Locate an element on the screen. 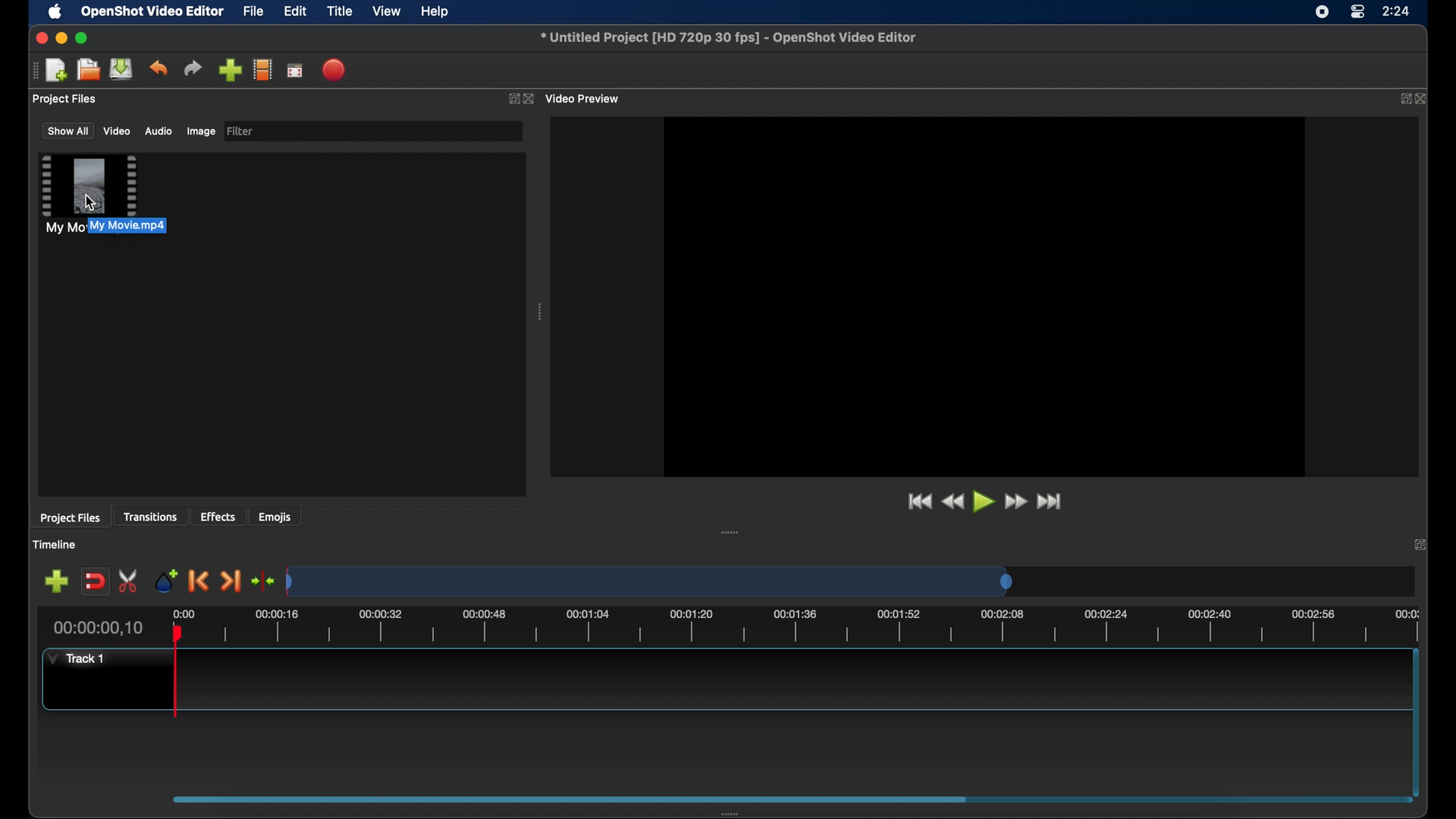  project files is located at coordinates (65, 99).